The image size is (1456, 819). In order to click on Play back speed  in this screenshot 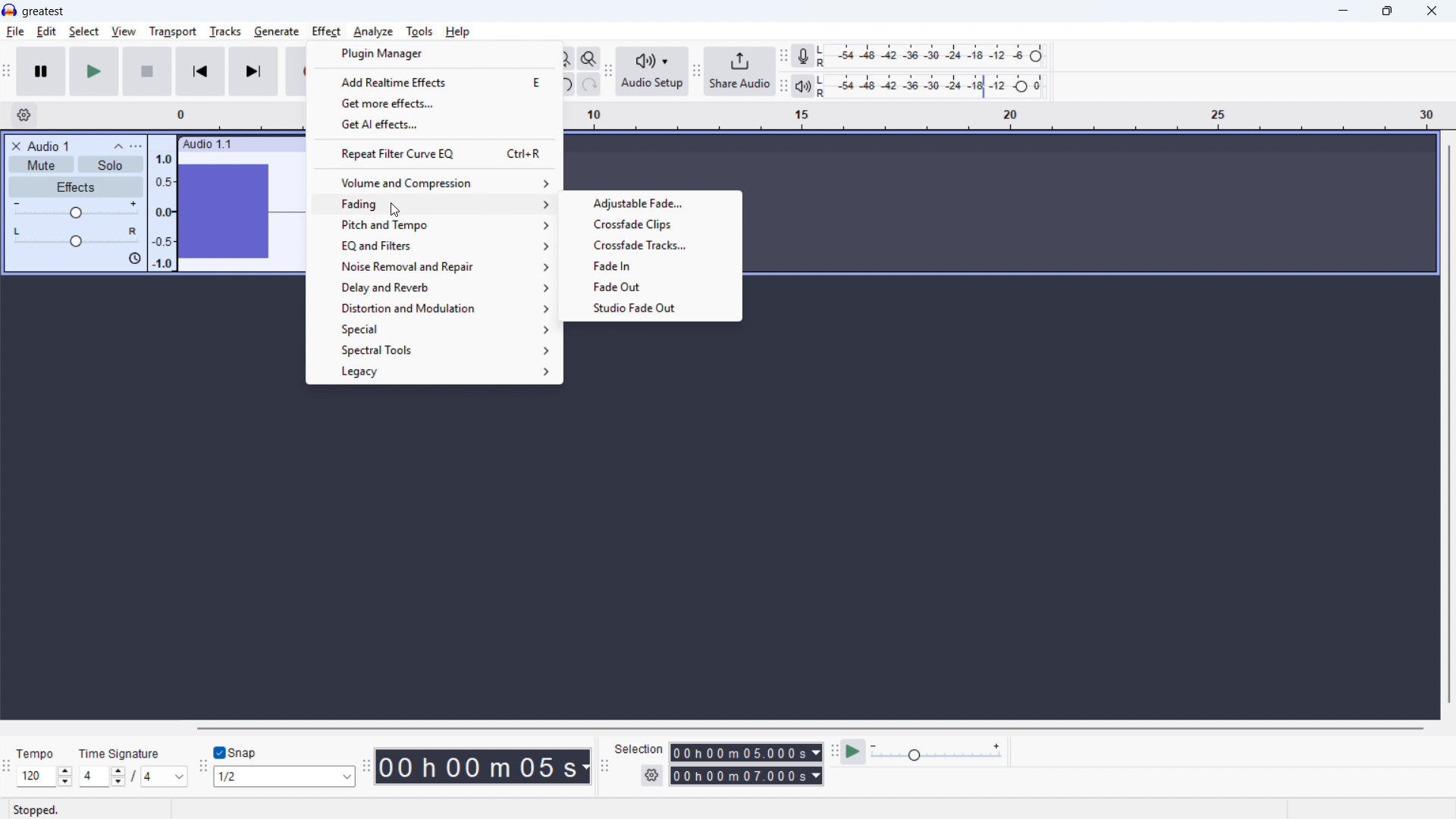, I will do `click(939, 752)`.